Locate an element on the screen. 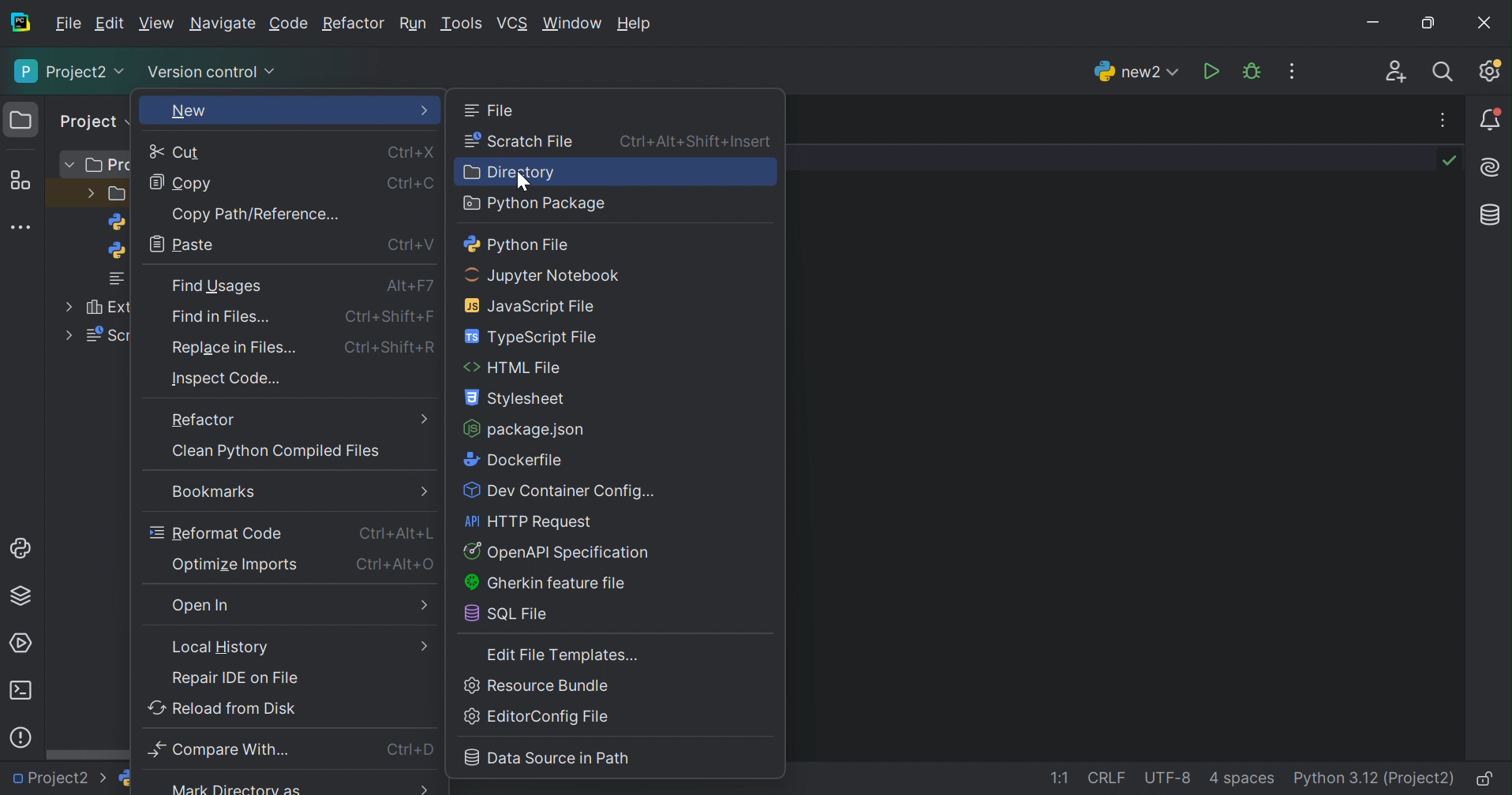 The image size is (1512, 795). Copy path/reference is located at coordinates (253, 213).